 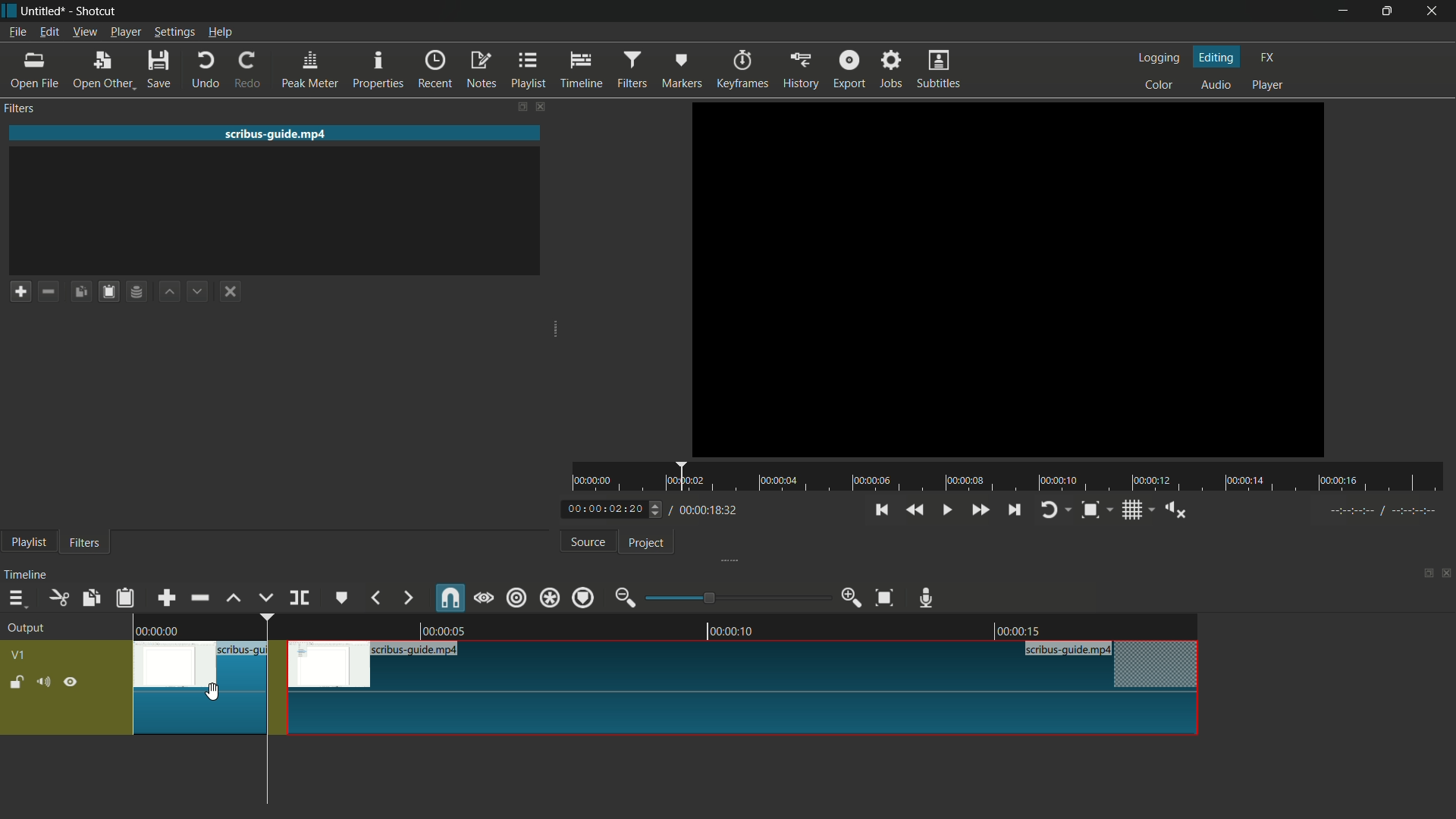 I want to click on time, so click(x=1015, y=478).